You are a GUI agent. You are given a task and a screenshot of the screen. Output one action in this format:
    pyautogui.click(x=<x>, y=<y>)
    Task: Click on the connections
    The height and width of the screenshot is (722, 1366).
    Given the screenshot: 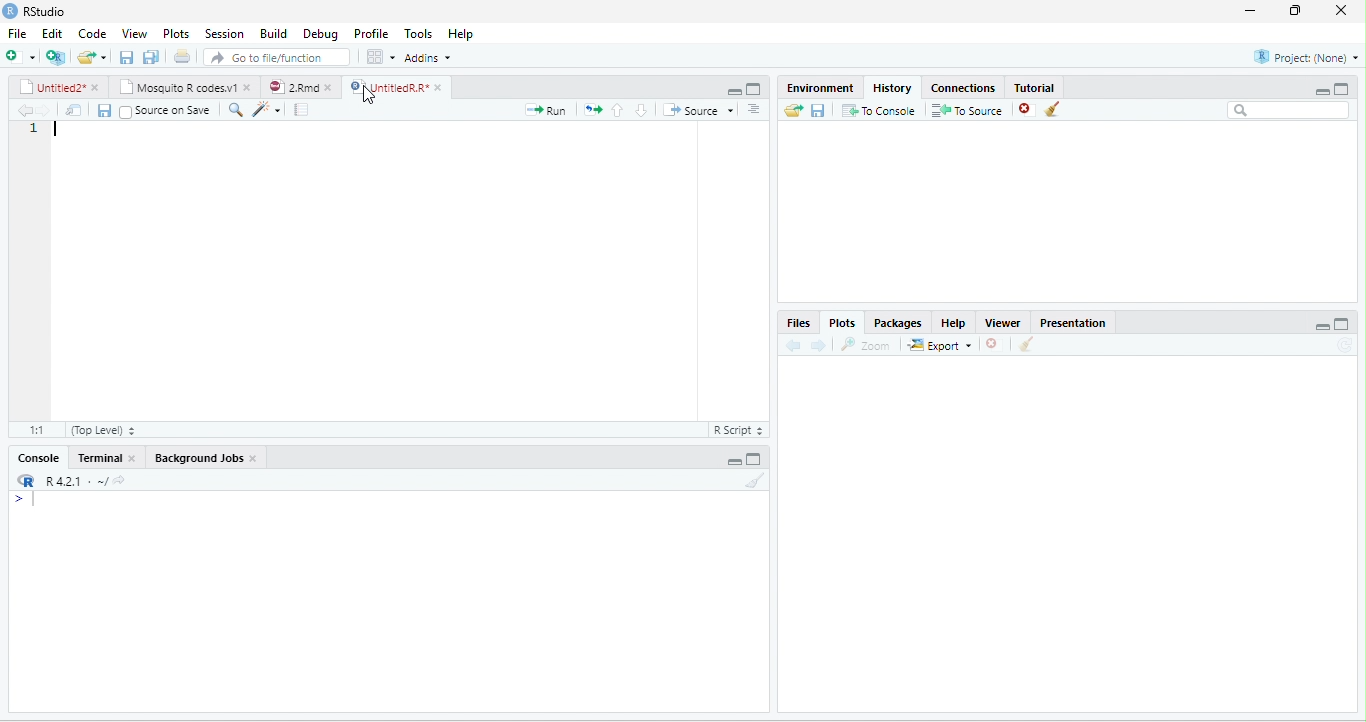 What is the action you would take?
    pyautogui.click(x=961, y=86)
    